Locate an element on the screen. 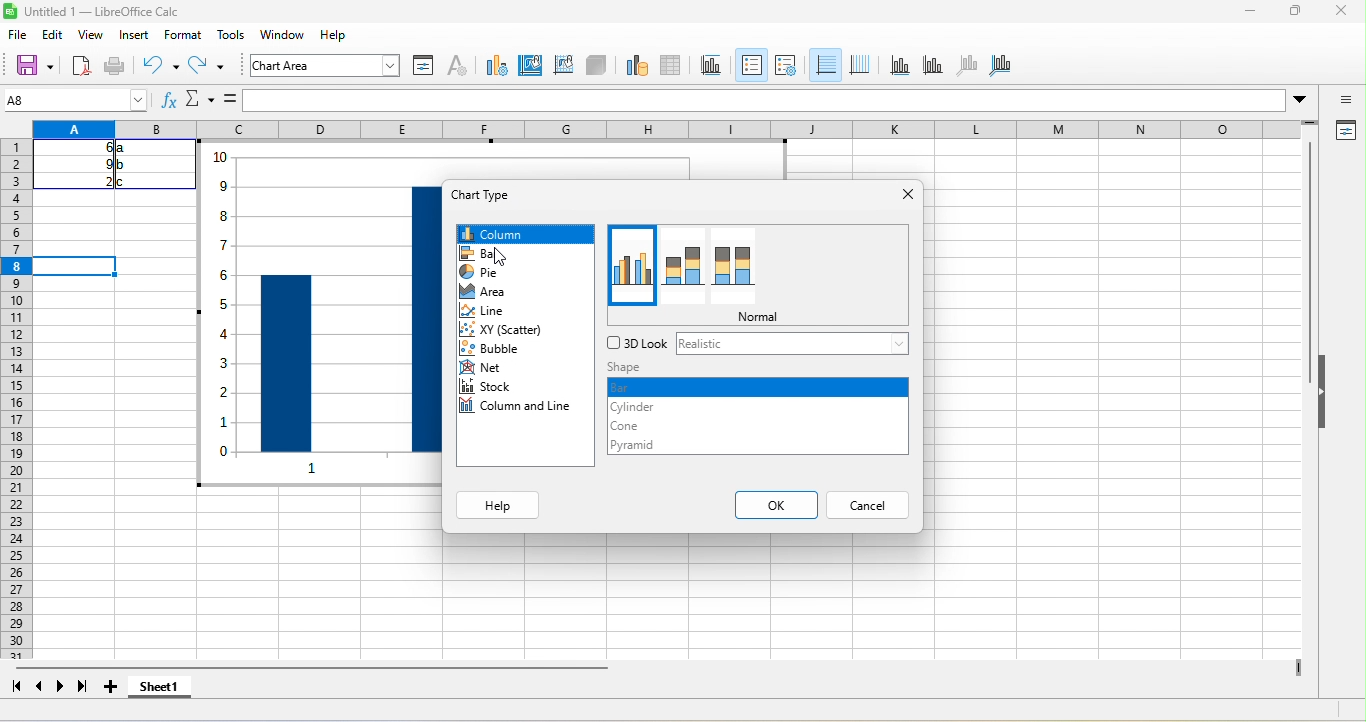  pyramid is located at coordinates (647, 446).